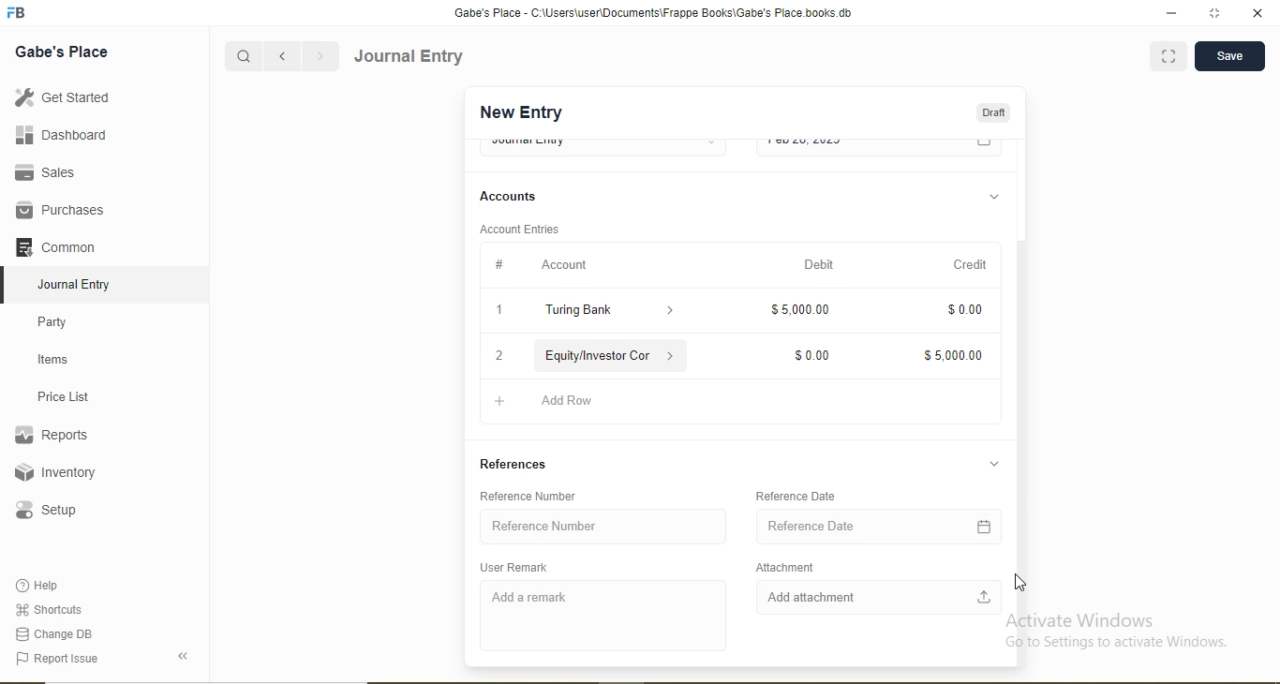  Describe the element at coordinates (182, 656) in the screenshot. I see `Back` at that location.